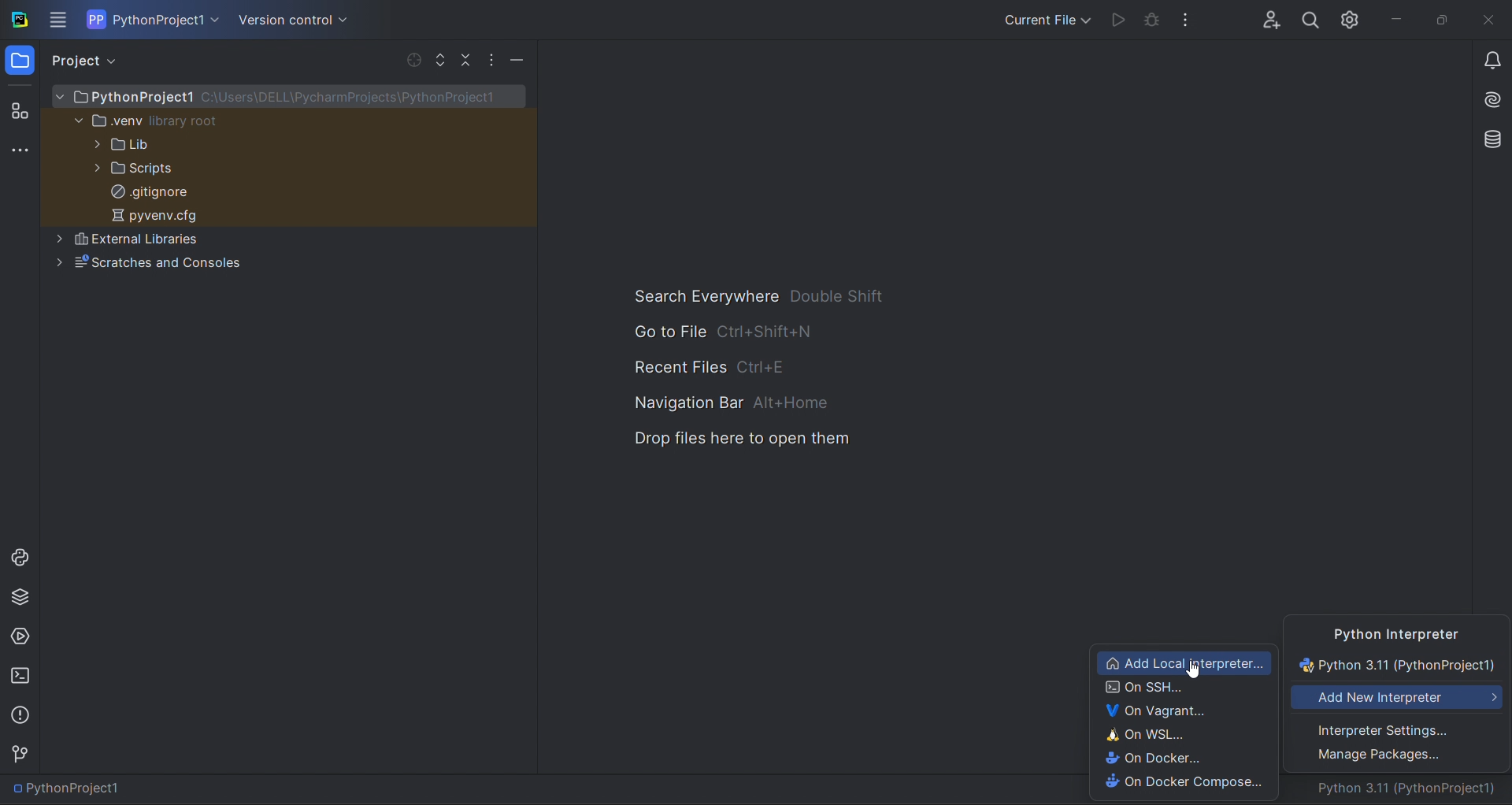 The width and height of the screenshot is (1512, 805). I want to click on expand file, so click(440, 59).